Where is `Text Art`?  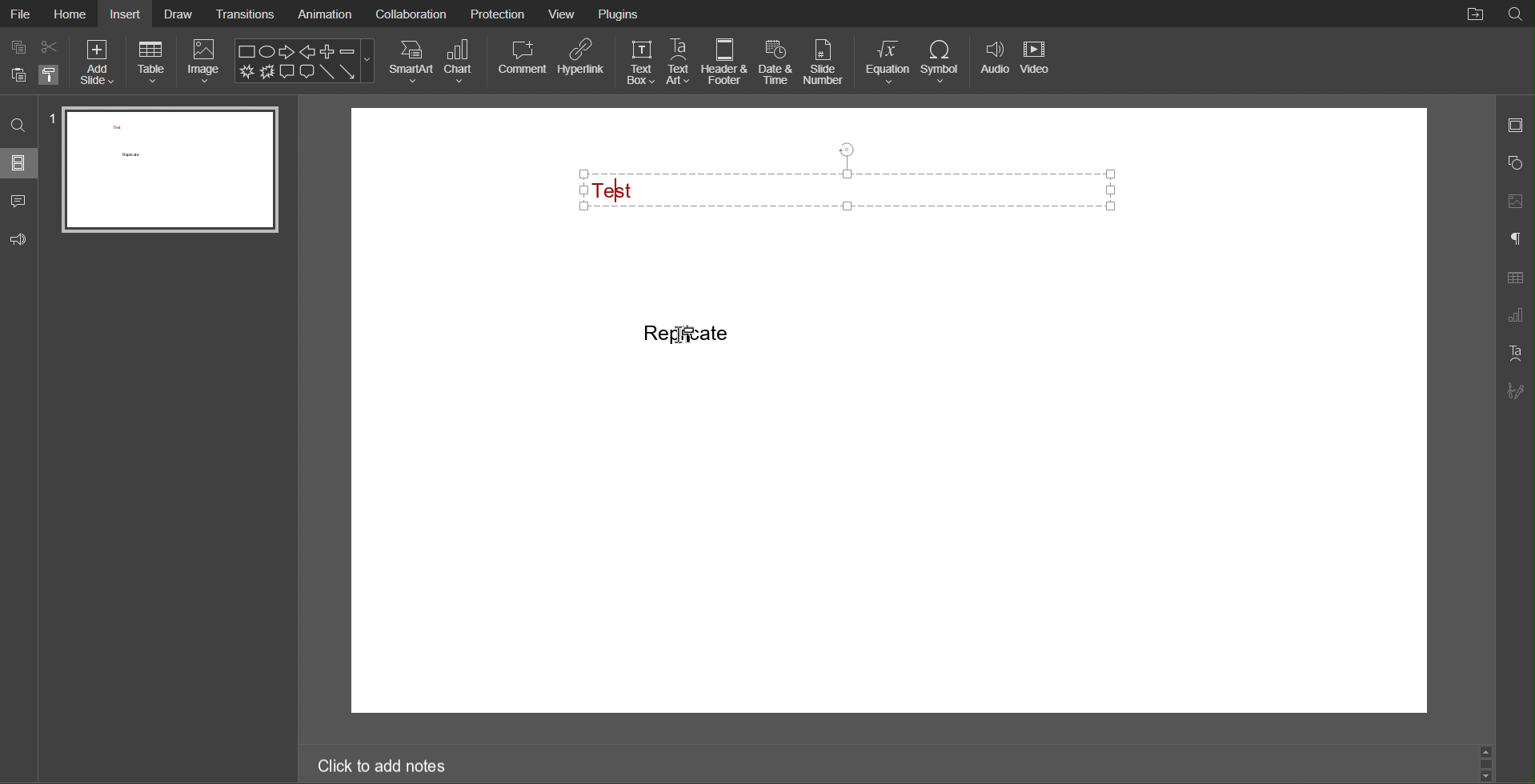
Text Art is located at coordinates (1513, 354).